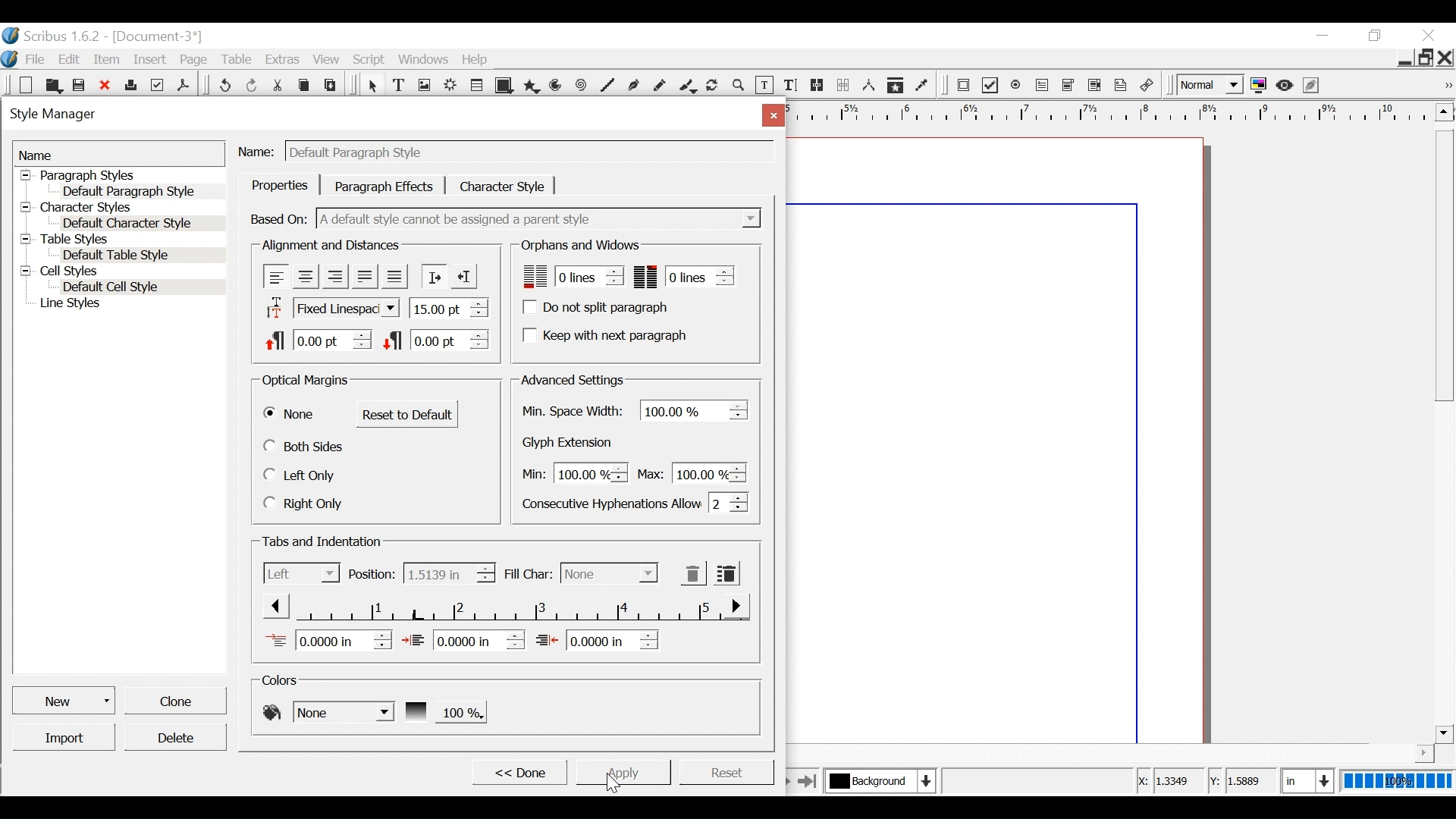 The width and height of the screenshot is (1456, 819). What do you see at coordinates (571, 443) in the screenshot?
I see `Glyph extension` at bounding box center [571, 443].